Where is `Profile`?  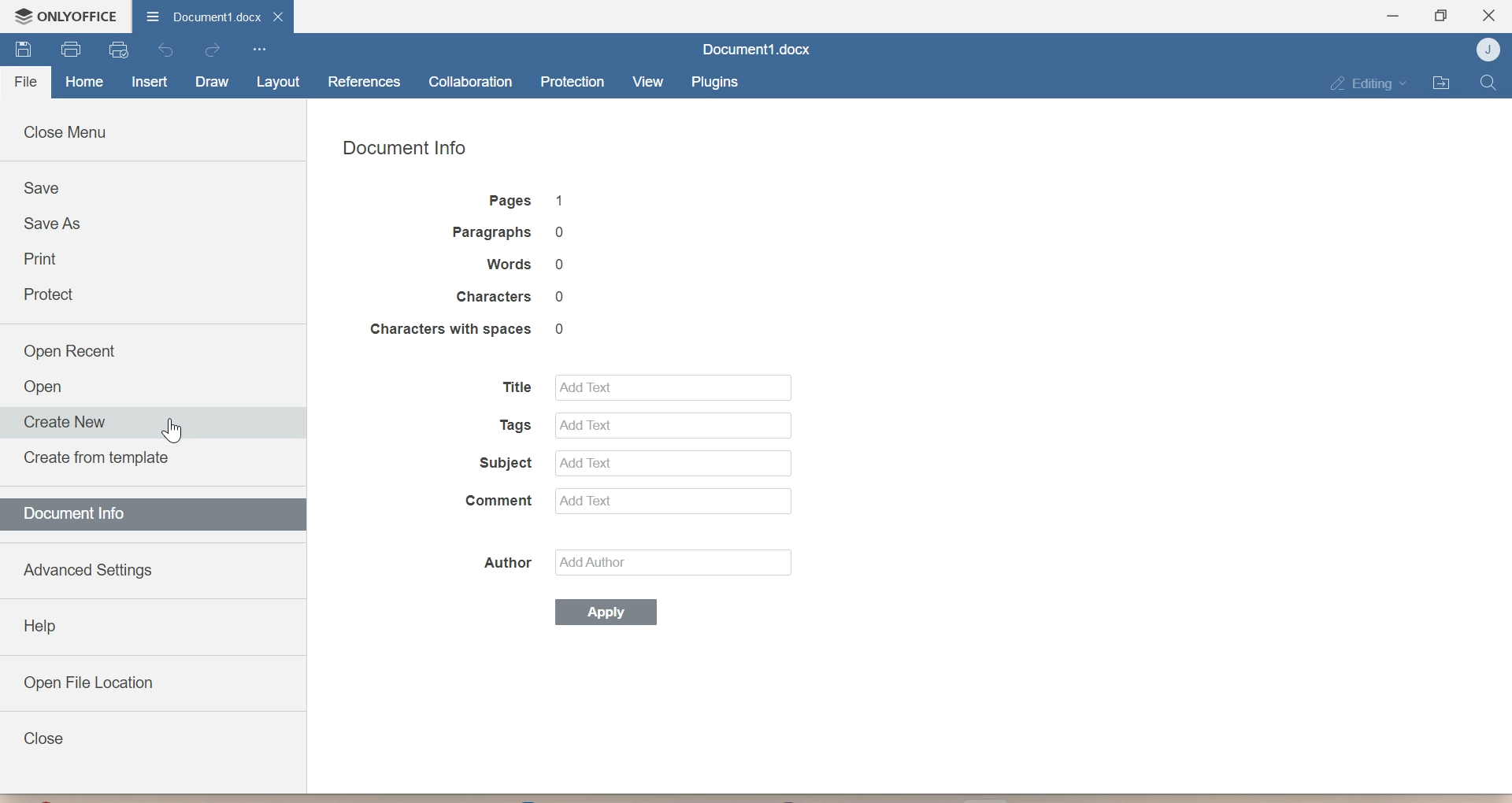 Profile is located at coordinates (1485, 49).